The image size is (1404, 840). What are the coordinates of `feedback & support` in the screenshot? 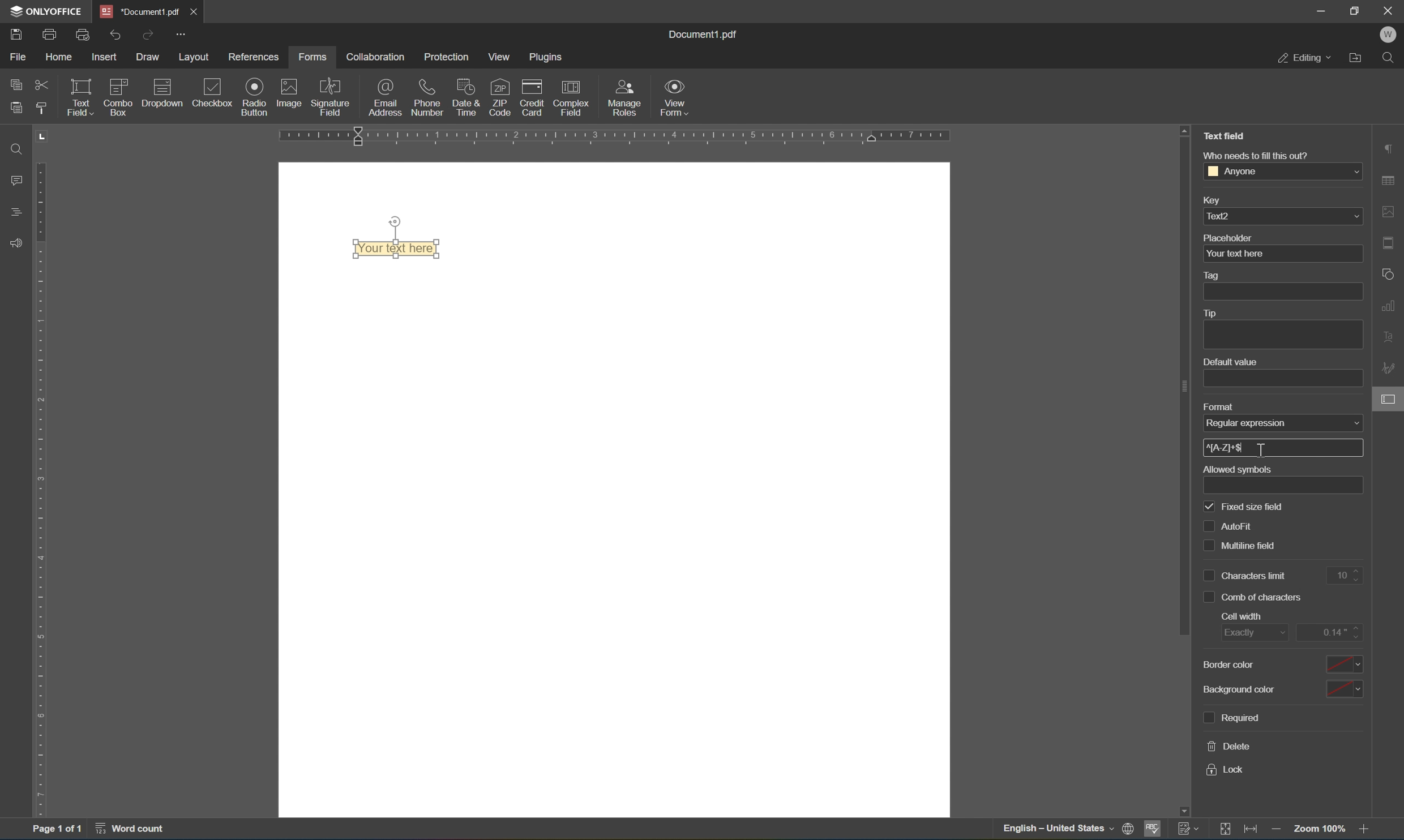 It's located at (15, 240).